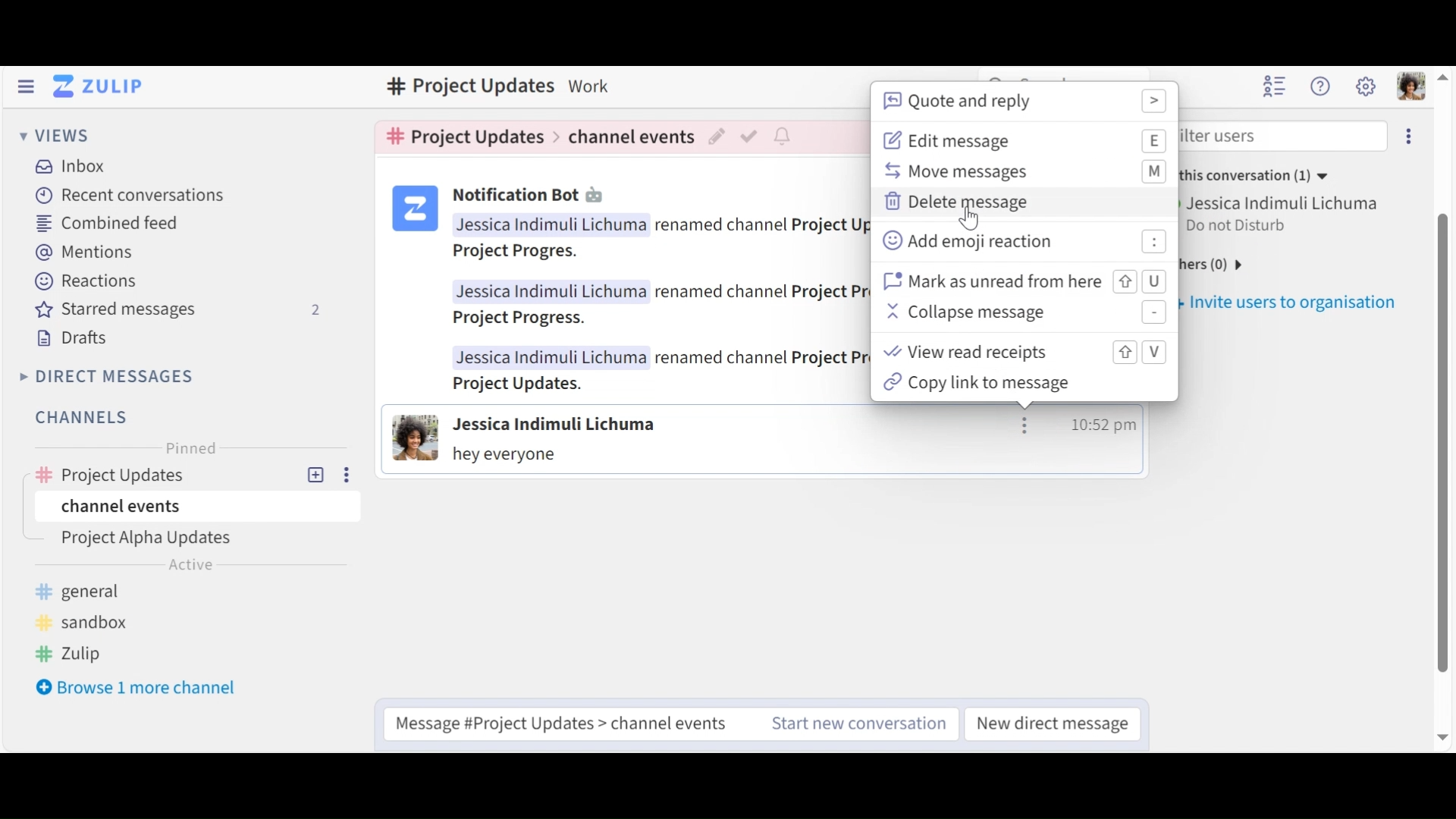  Describe the element at coordinates (106, 224) in the screenshot. I see `Combined feed` at that location.